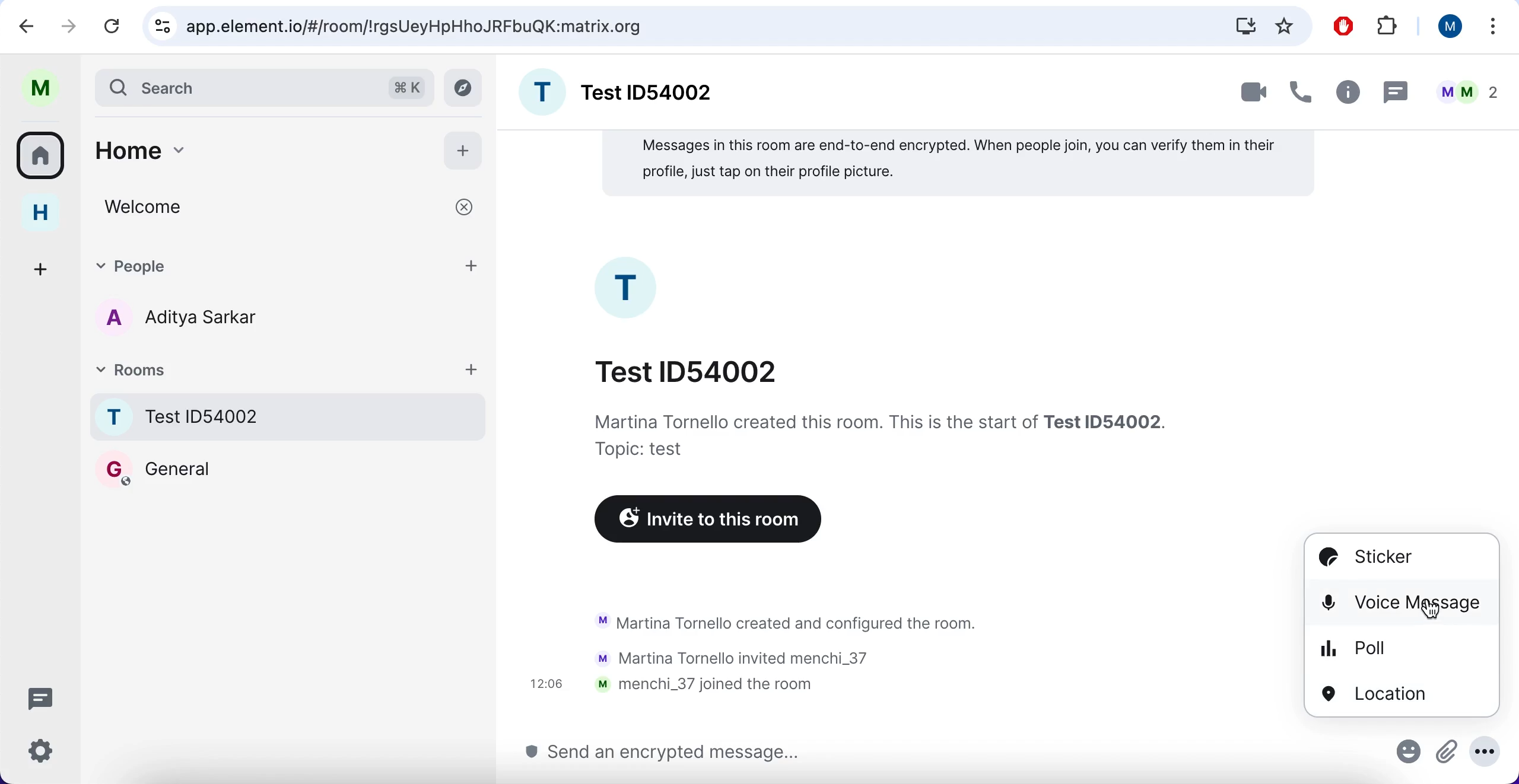 Image resolution: width=1519 pixels, height=784 pixels. What do you see at coordinates (160, 26) in the screenshot?
I see `controls` at bounding box center [160, 26].